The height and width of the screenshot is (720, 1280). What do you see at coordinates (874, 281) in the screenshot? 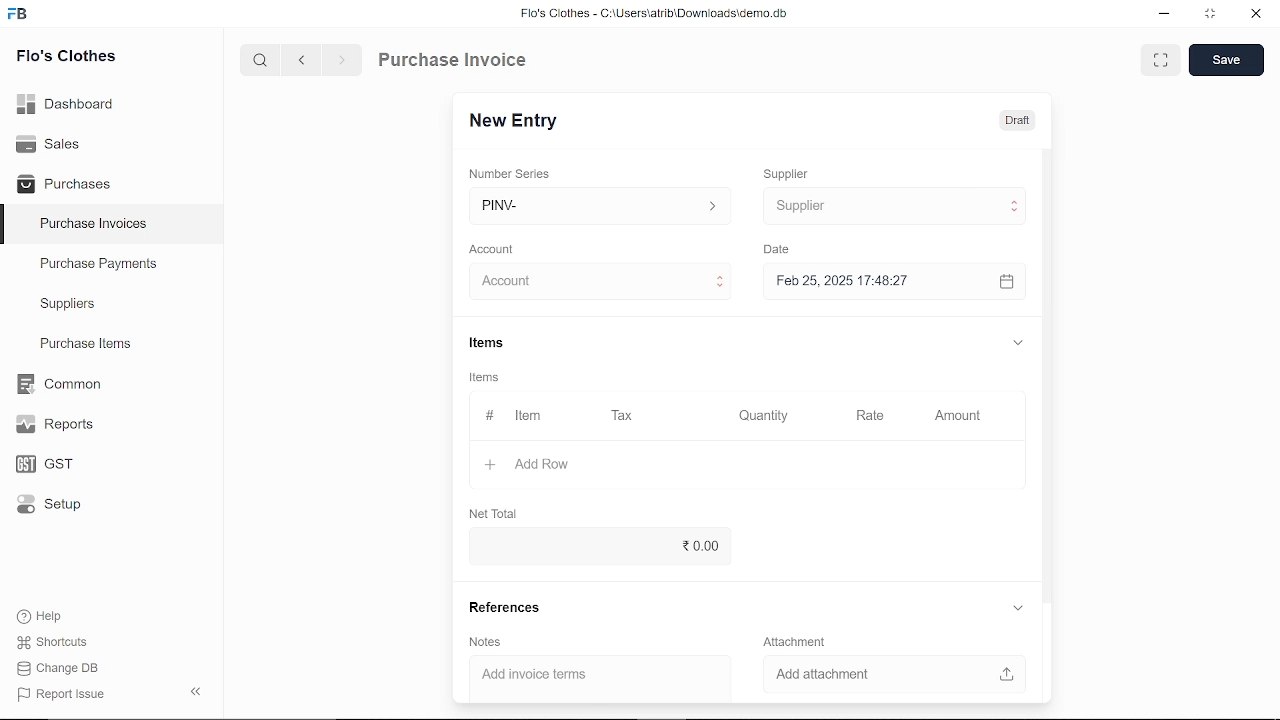
I see ` Feb 25, 2025 17:48:27` at bounding box center [874, 281].